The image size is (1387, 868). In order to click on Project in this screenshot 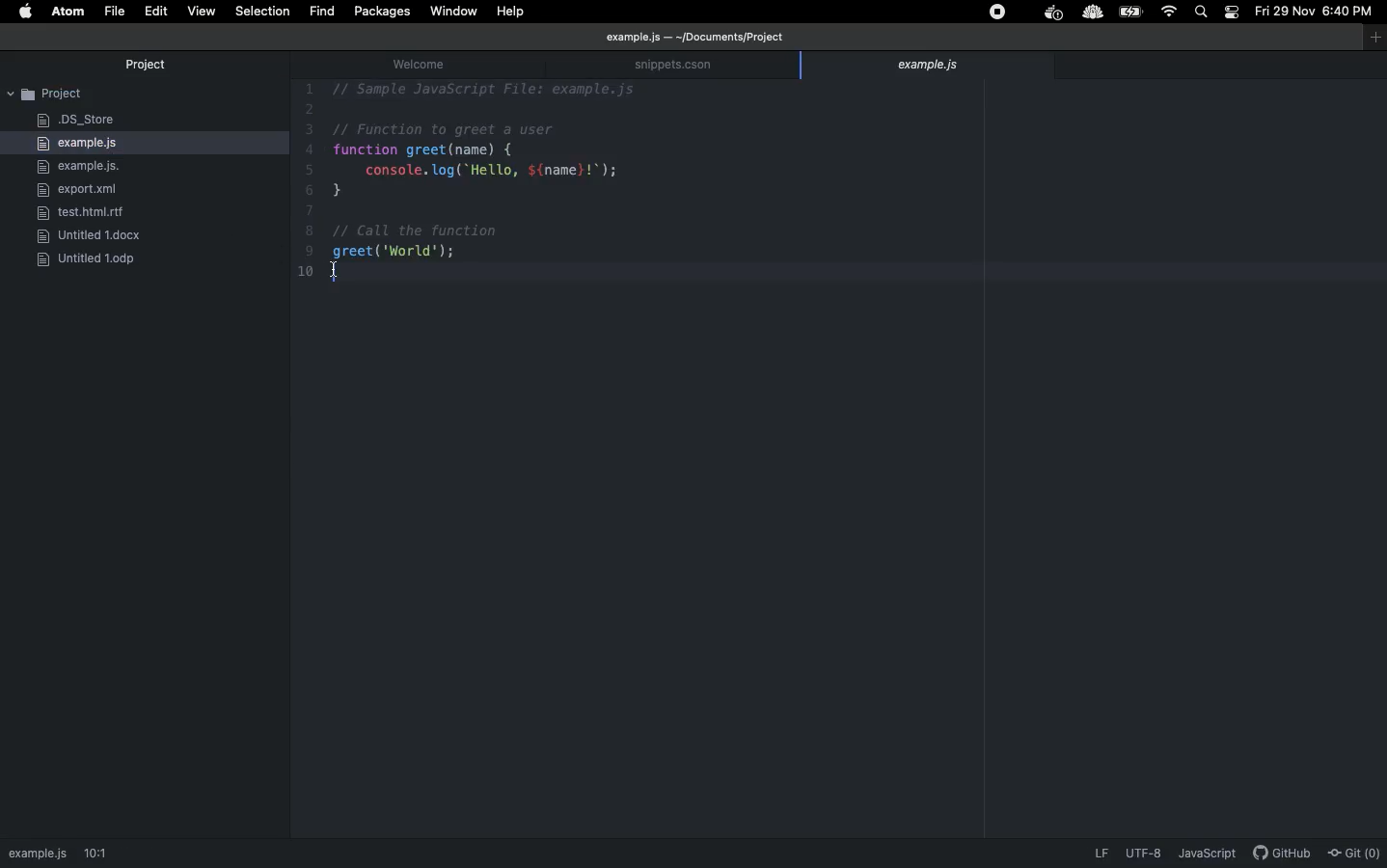, I will do `click(146, 65)`.